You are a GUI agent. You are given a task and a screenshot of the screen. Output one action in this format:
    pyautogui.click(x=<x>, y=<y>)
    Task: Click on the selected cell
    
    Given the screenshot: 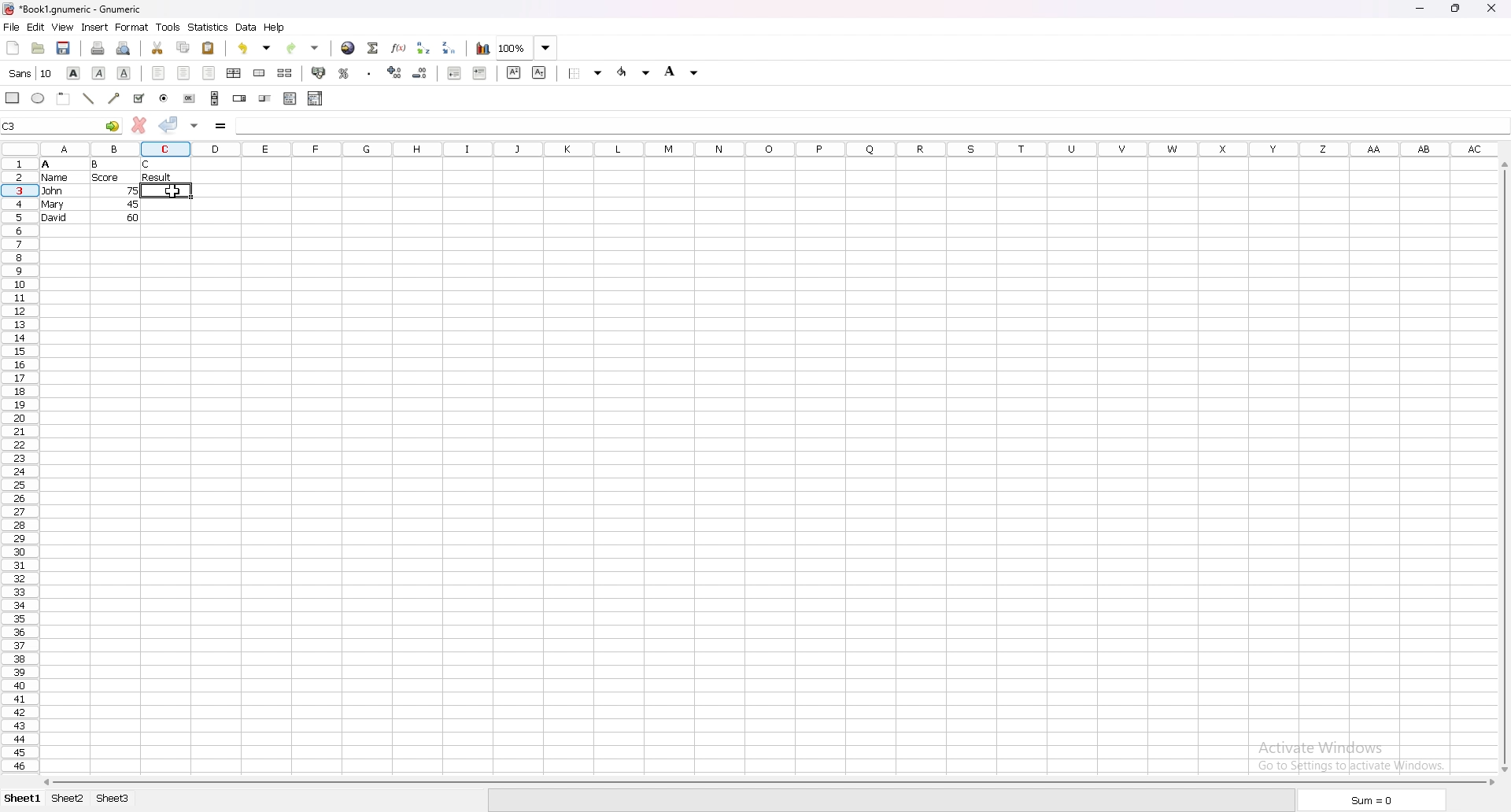 What is the action you would take?
    pyautogui.click(x=14, y=126)
    